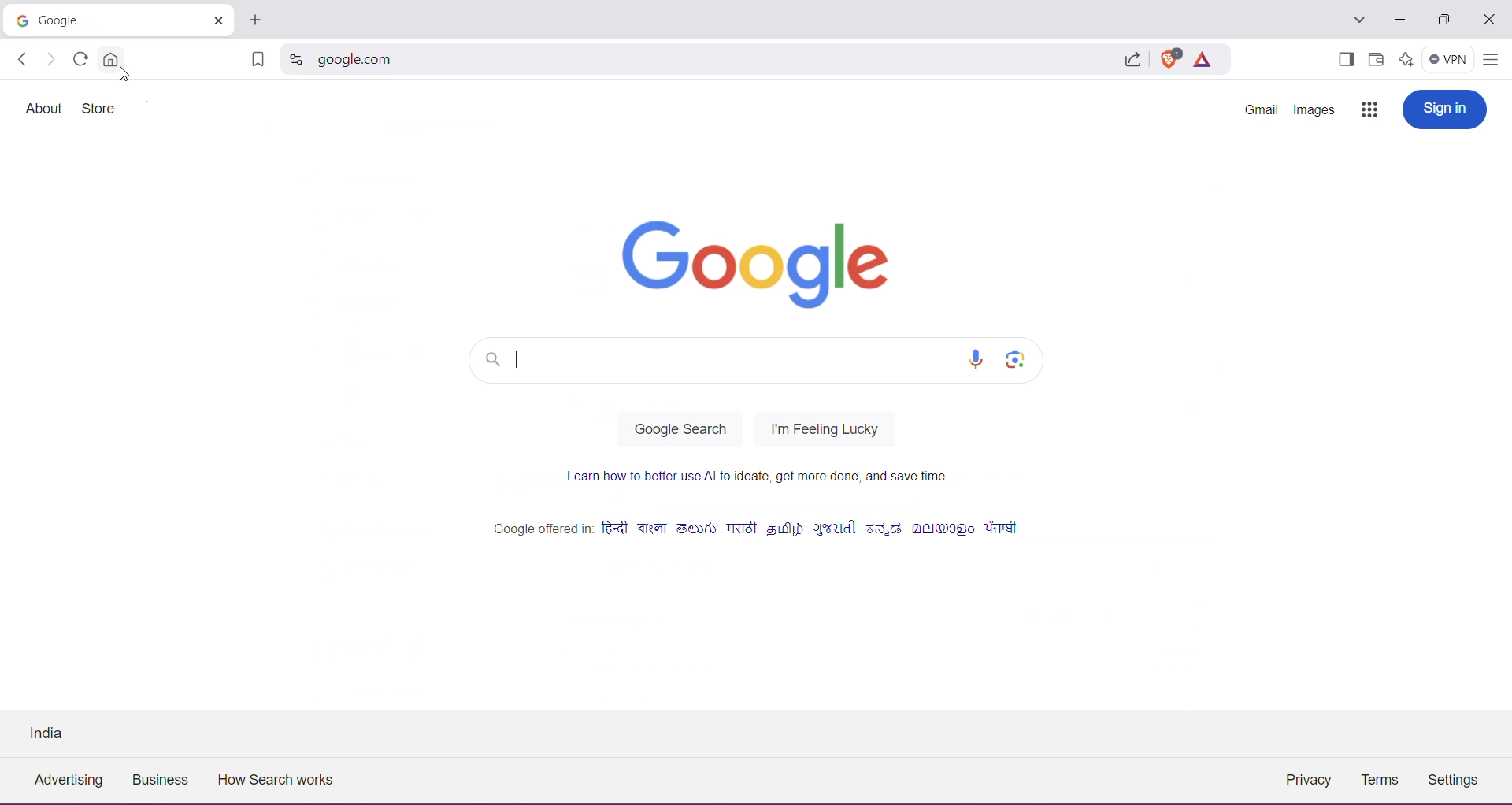  I want to click on google.com, so click(710, 61).